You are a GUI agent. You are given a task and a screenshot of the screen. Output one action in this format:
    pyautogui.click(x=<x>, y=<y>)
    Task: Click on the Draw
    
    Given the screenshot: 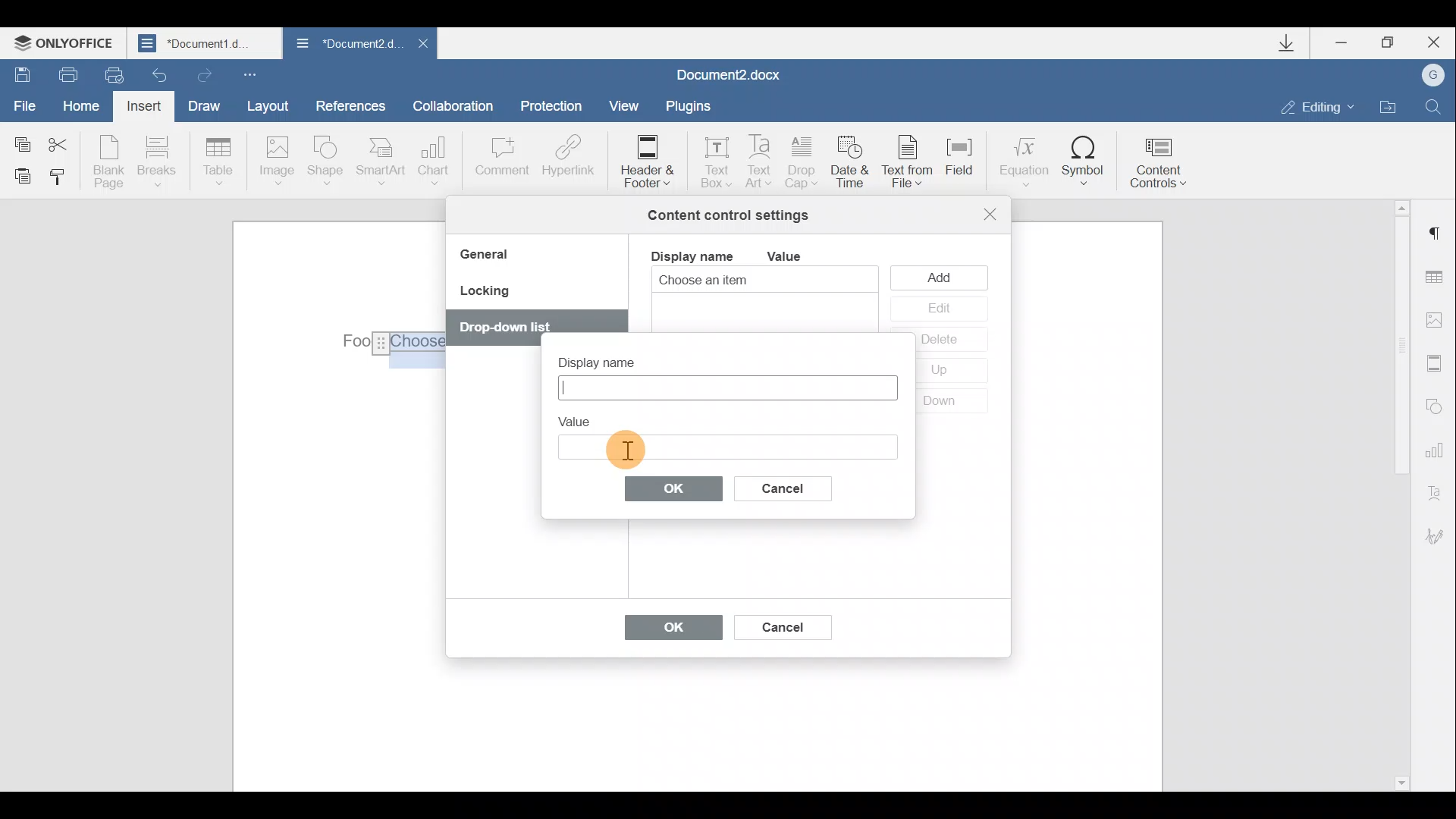 What is the action you would take?
    pyautogui.click(x=202, y=104)
    